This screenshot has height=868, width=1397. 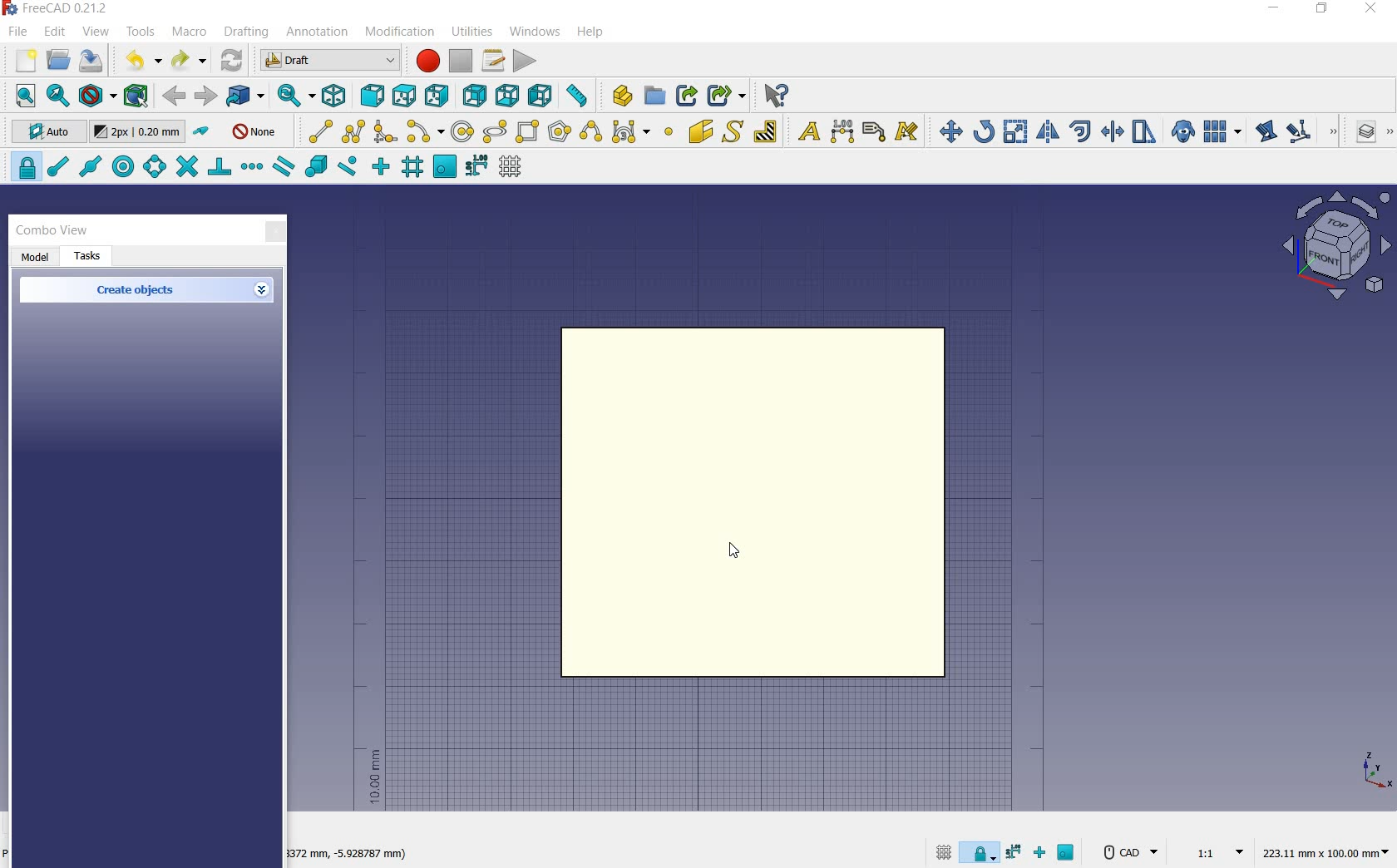 I want to click on snap ortho, so click(x=1043, y=854).